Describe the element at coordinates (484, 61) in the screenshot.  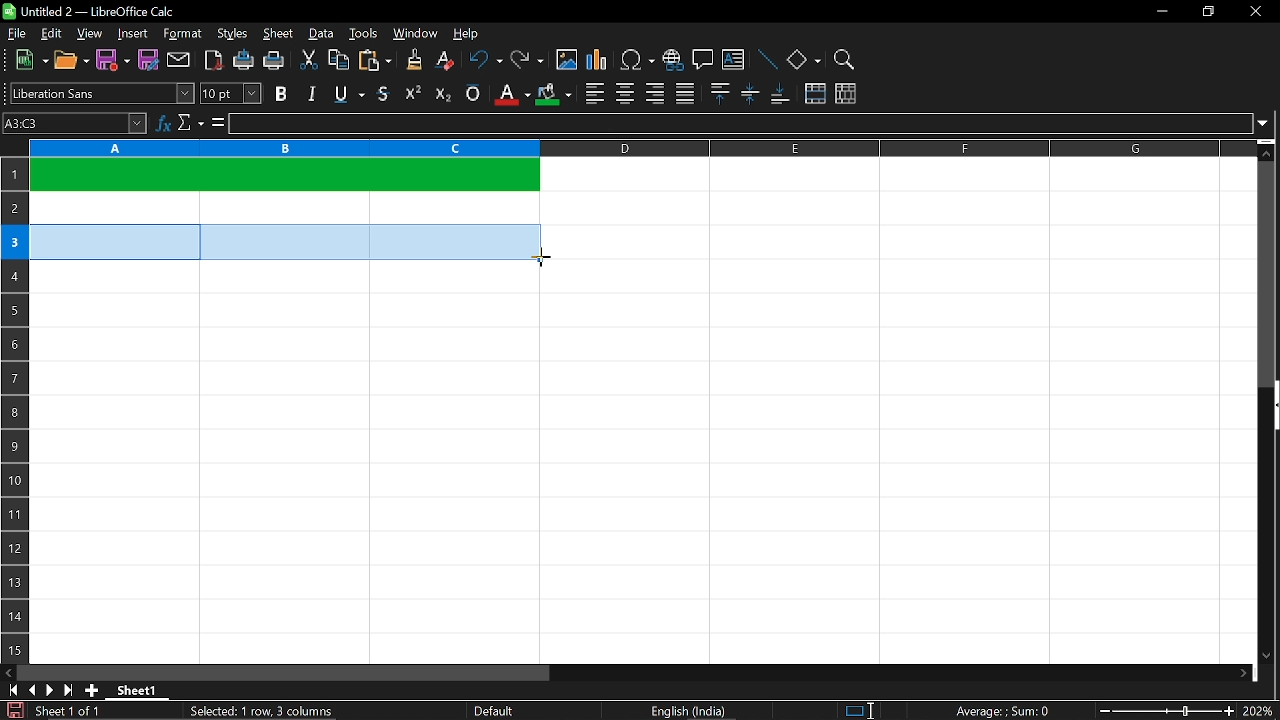
I see `undo` at that location.